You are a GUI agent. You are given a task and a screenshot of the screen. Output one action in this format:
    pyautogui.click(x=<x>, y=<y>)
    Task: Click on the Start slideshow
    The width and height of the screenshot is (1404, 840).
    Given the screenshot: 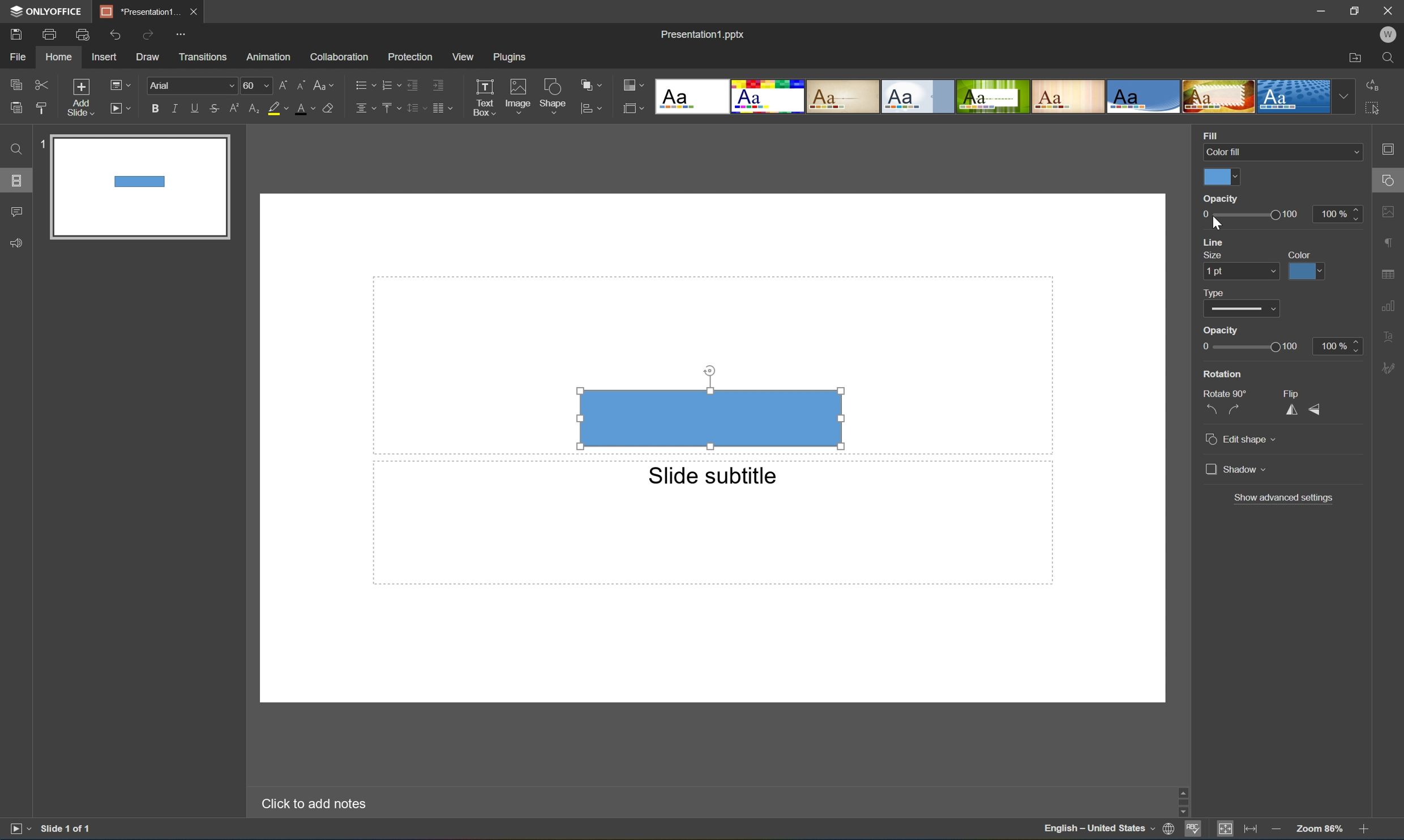 What is the action you would take?
    pyautogui.click(x=16, y=831)
    